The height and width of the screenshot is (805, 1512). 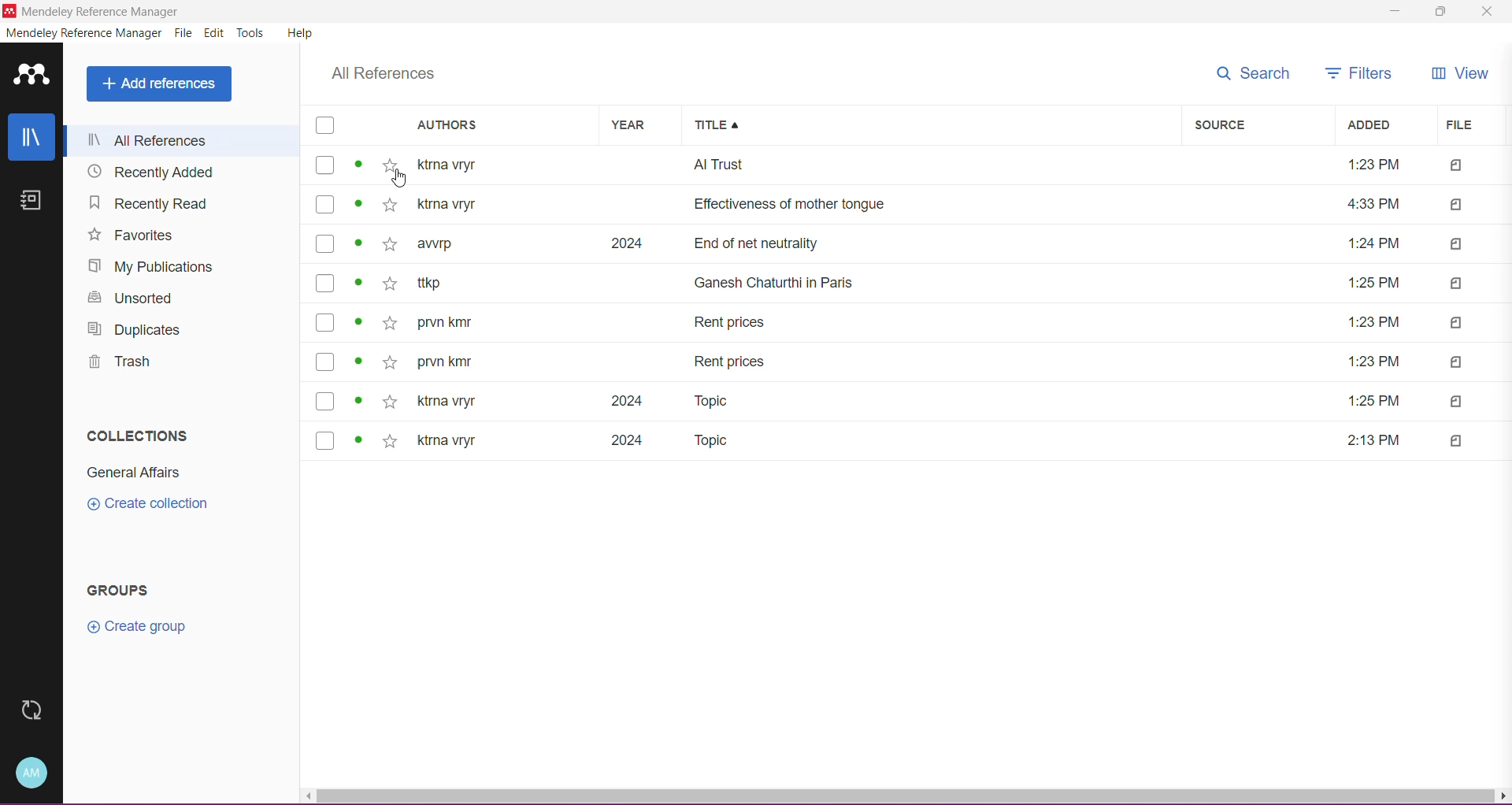 What do you see at coordinates (358, 400) in the screenshot?
I see `Click to see more details` at bounding box center [358, 400].